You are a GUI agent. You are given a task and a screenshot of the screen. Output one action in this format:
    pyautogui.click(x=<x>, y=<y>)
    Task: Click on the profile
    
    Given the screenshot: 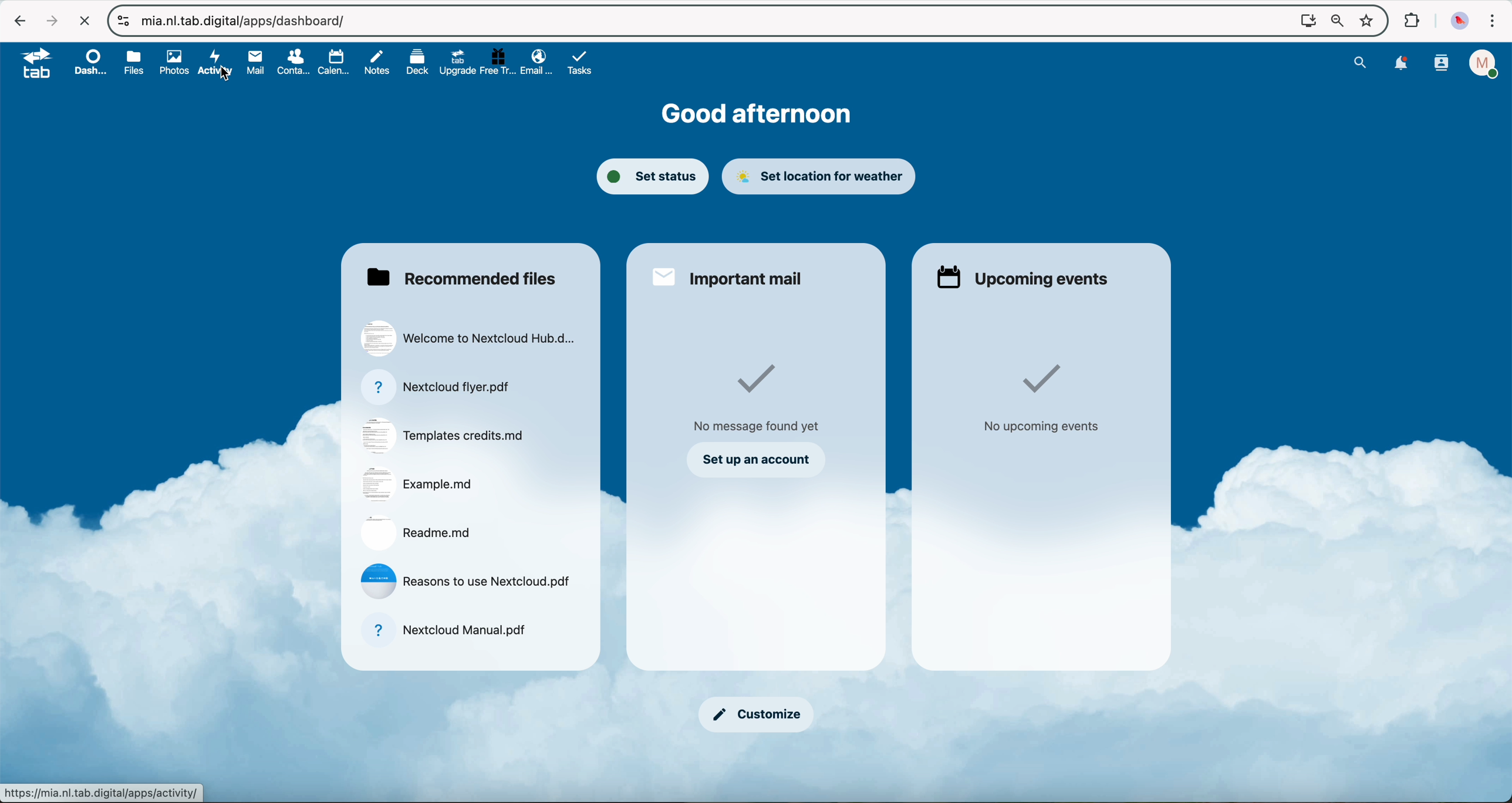 What is the action you would take?
    pyautogui.click(x=1486, y=63)
    